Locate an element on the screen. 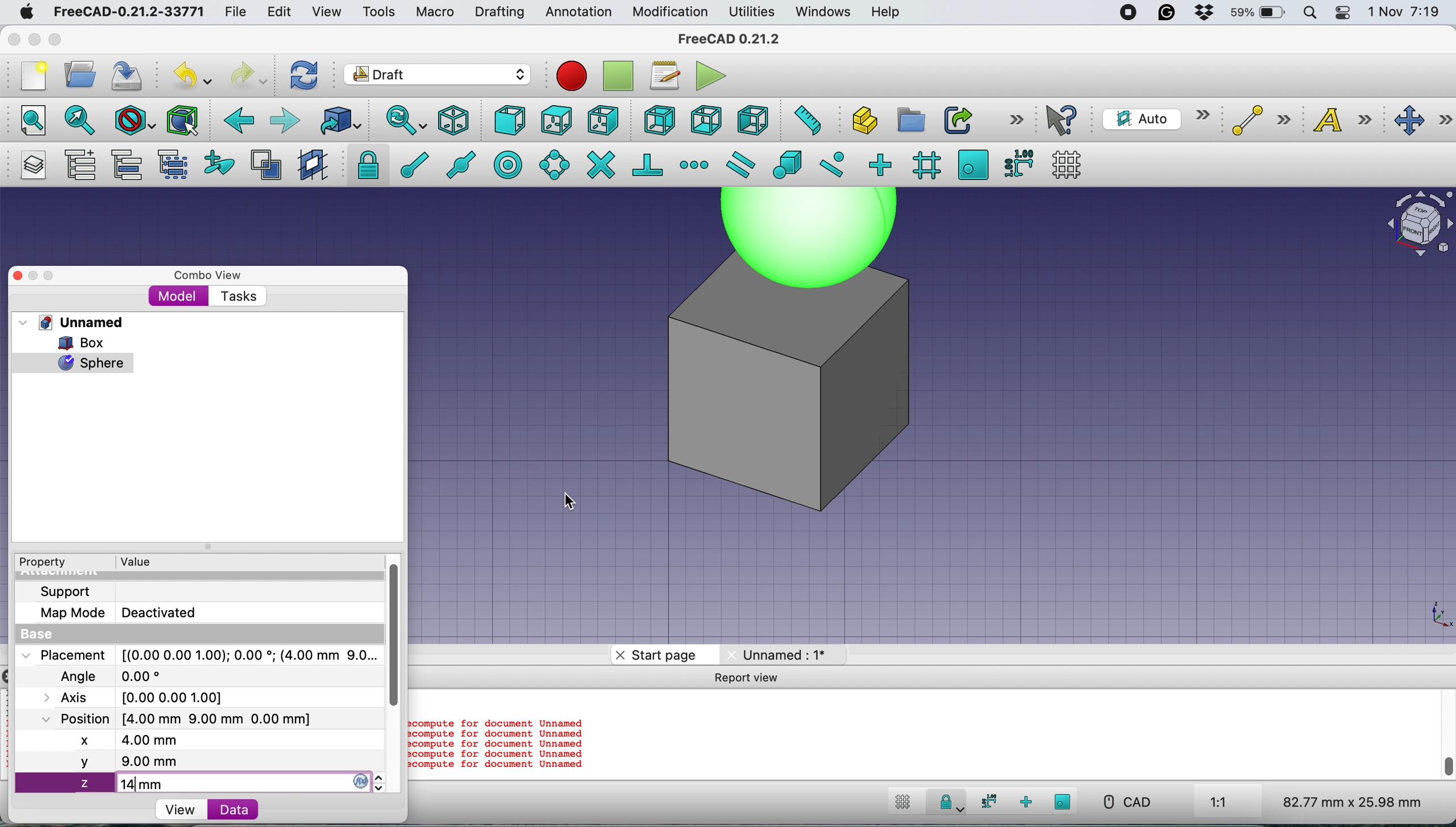 The height and width of the screenshot is (827, 1456). left is located at coordinates (752, 120).